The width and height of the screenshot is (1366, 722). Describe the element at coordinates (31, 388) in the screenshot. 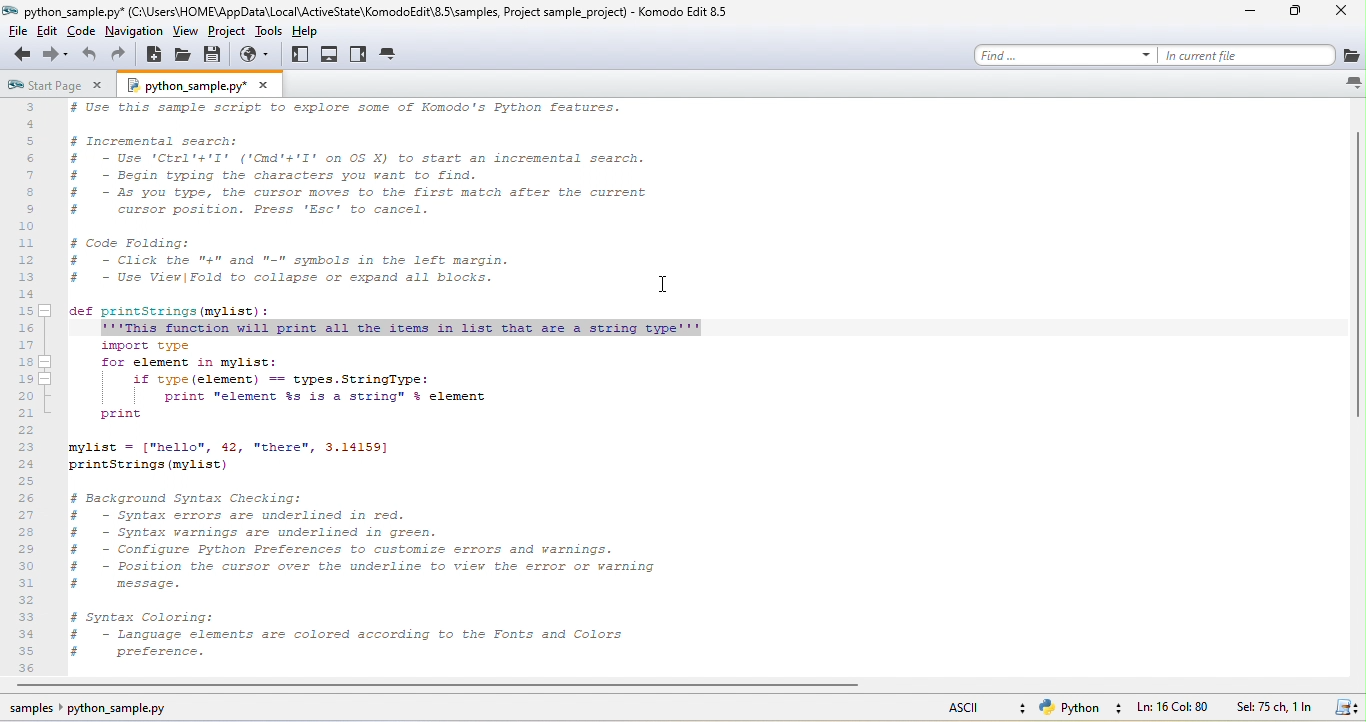

I see `line numbers` at that location.